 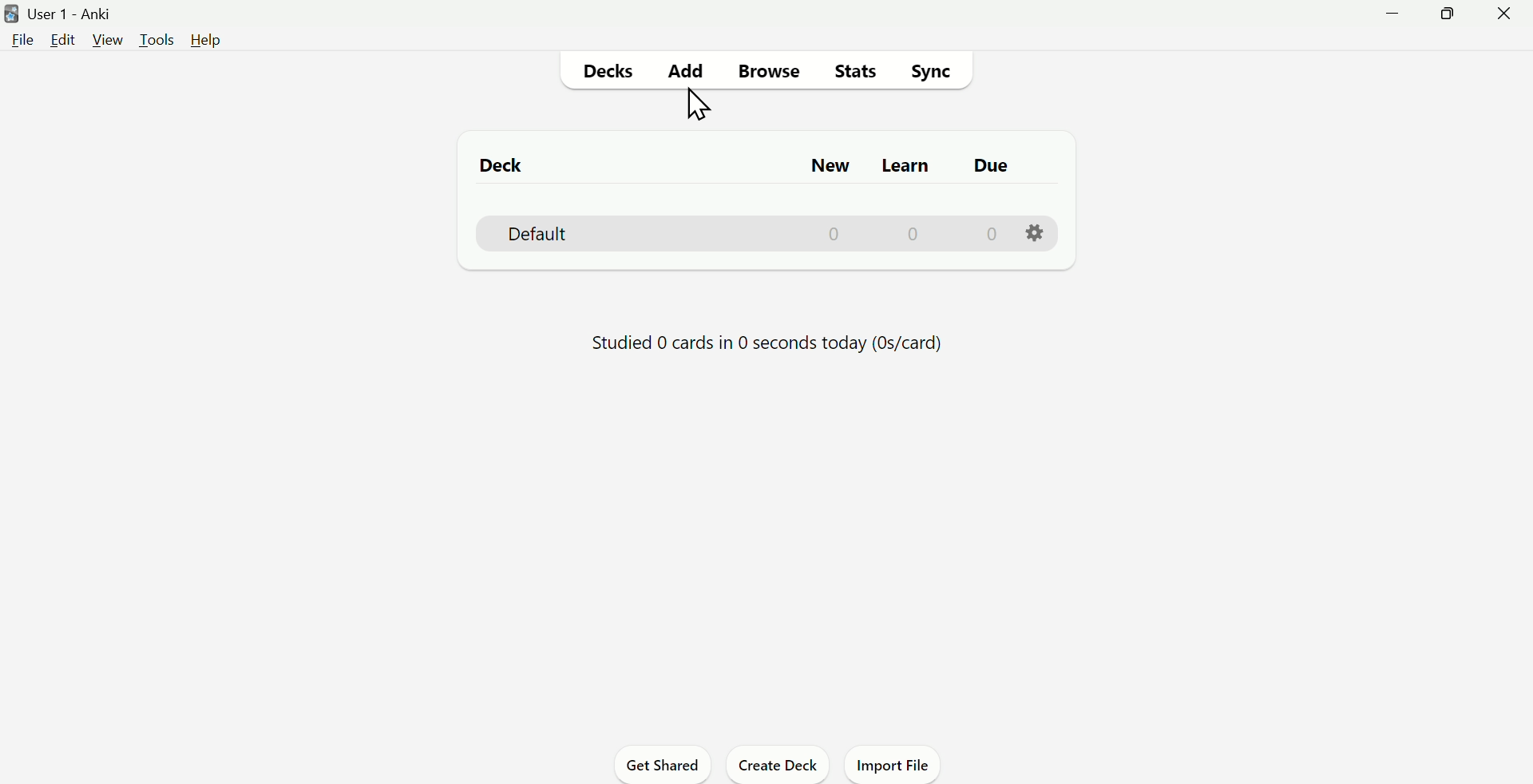 I want to click on Stats, so click(x=856, y=74).